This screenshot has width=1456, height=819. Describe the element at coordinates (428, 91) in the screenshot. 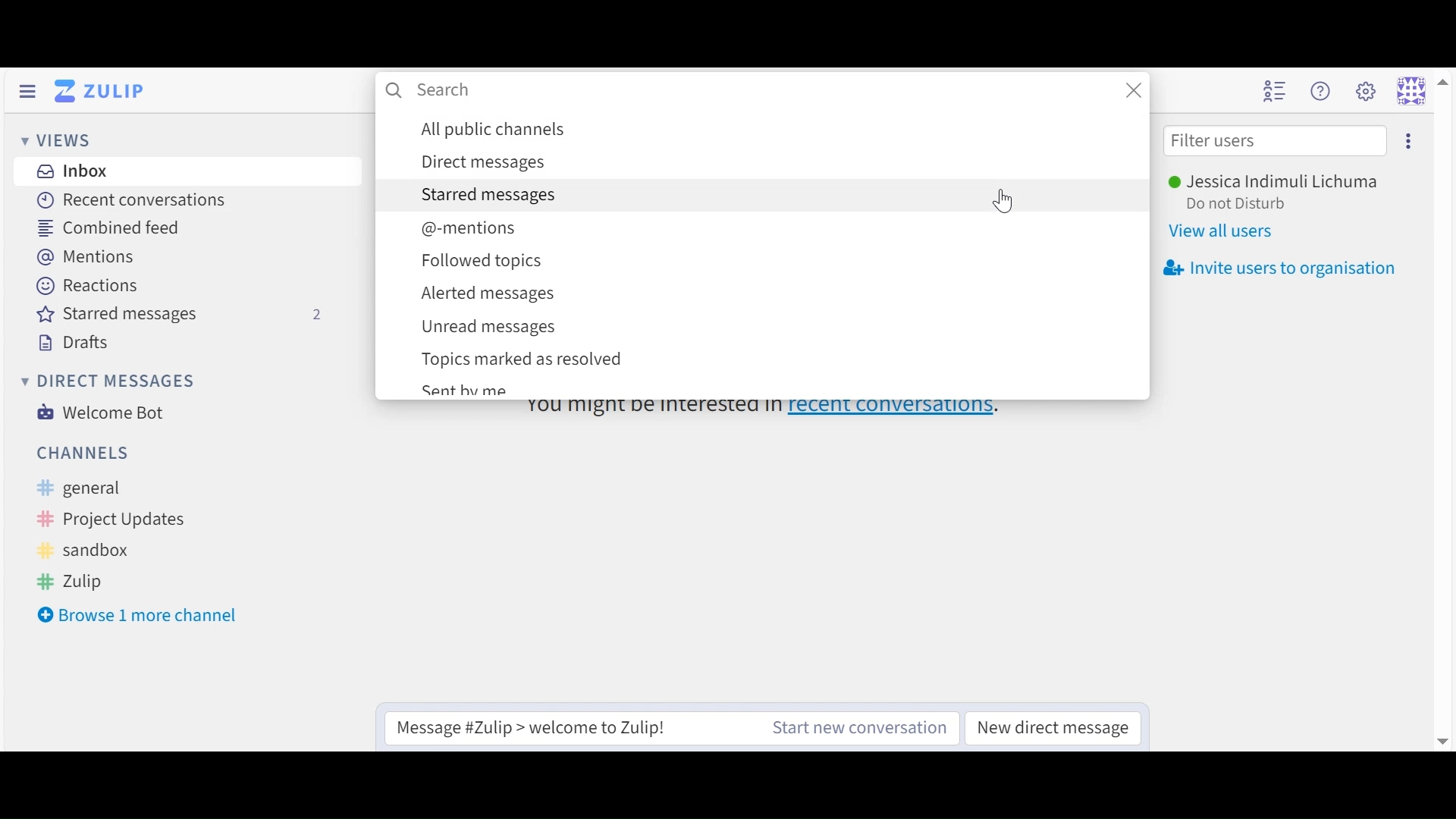

I see `Inbox` at that location.